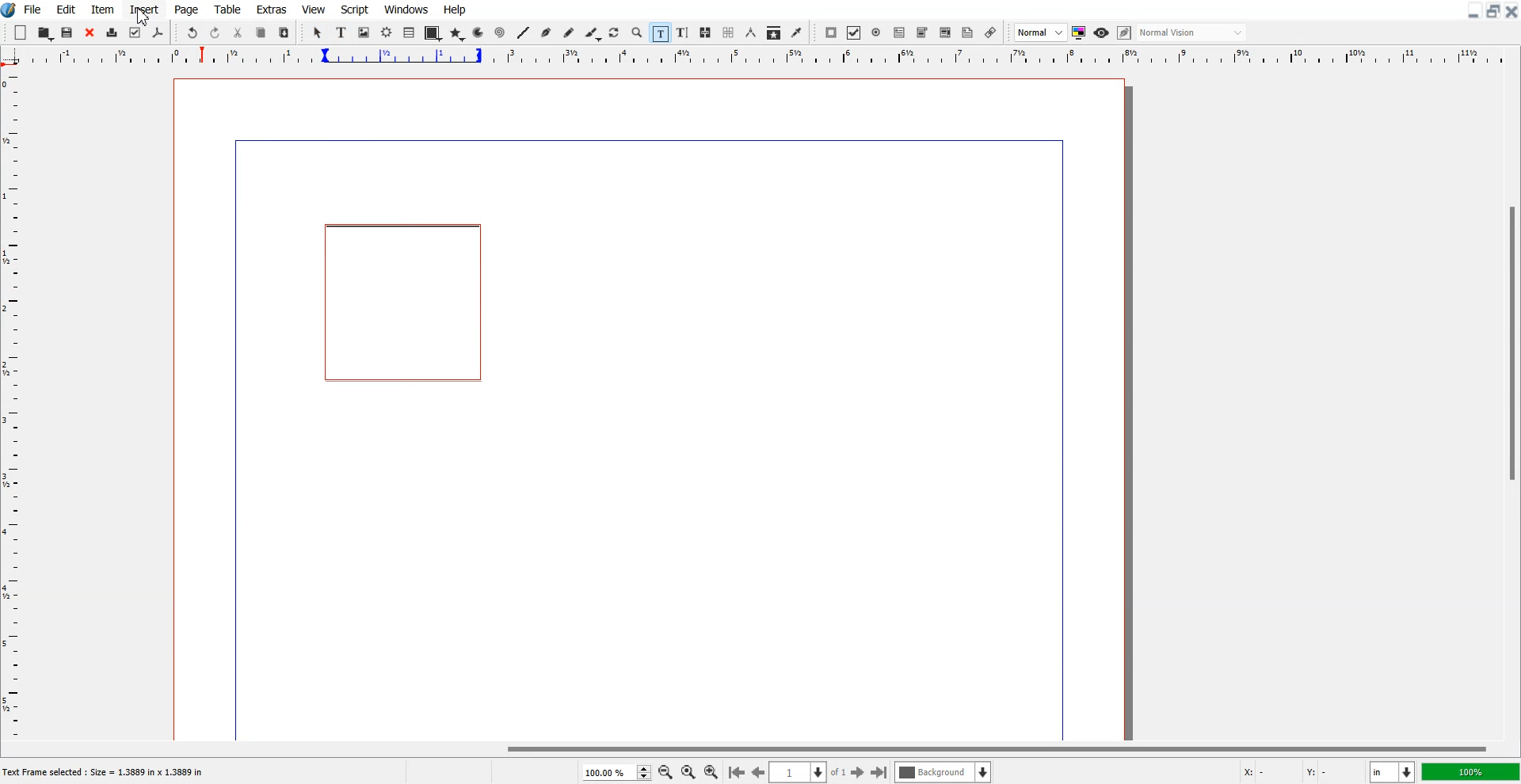 Image resolution: width=1521 pixels, height=784 pixels. Describe the element at coordinates (569, 33) in the screenshot. I see `Freehand line ` at that location.